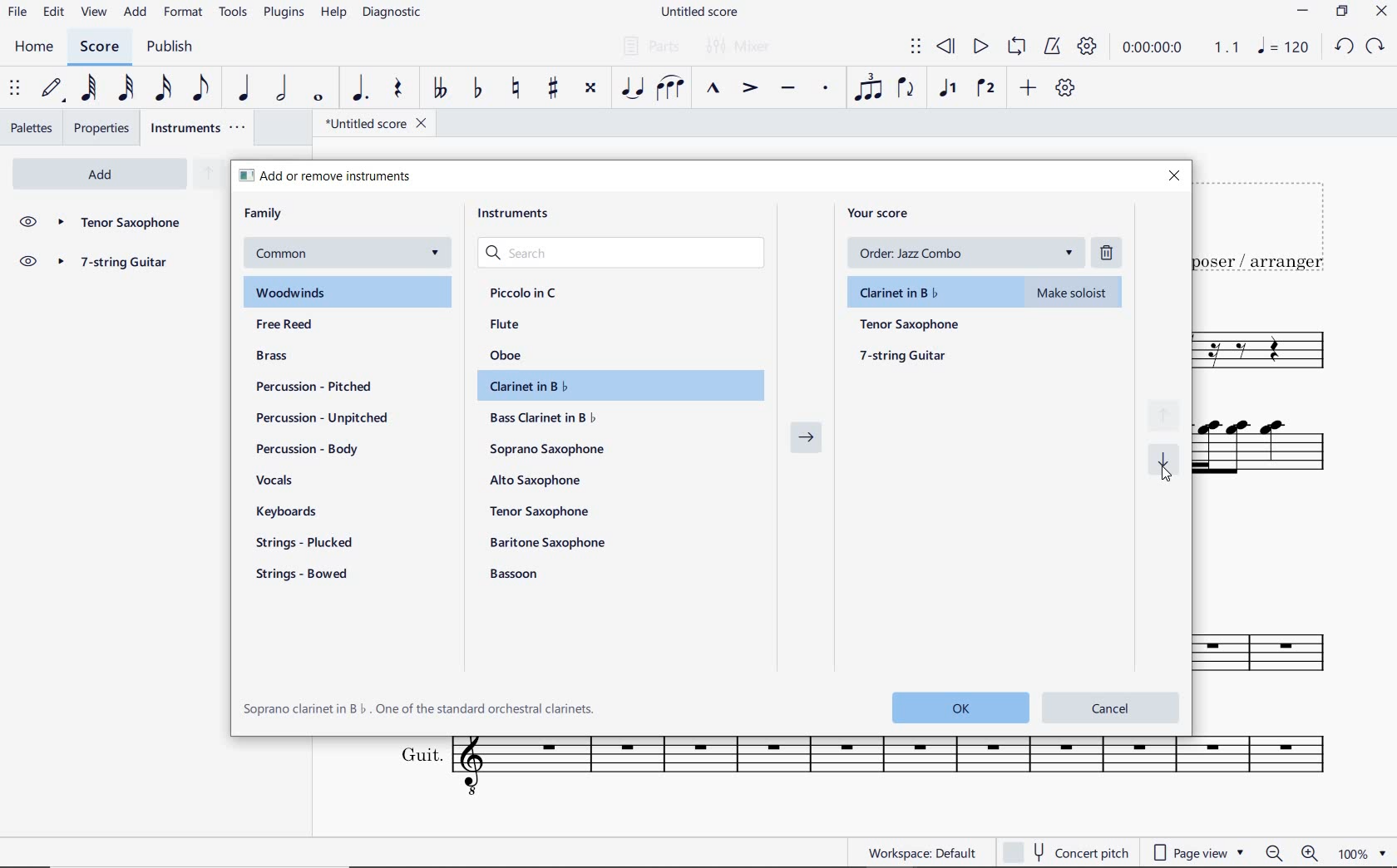  Describe the element at coordinates (955, 707) in the screenshot. I see `ok` at that location.